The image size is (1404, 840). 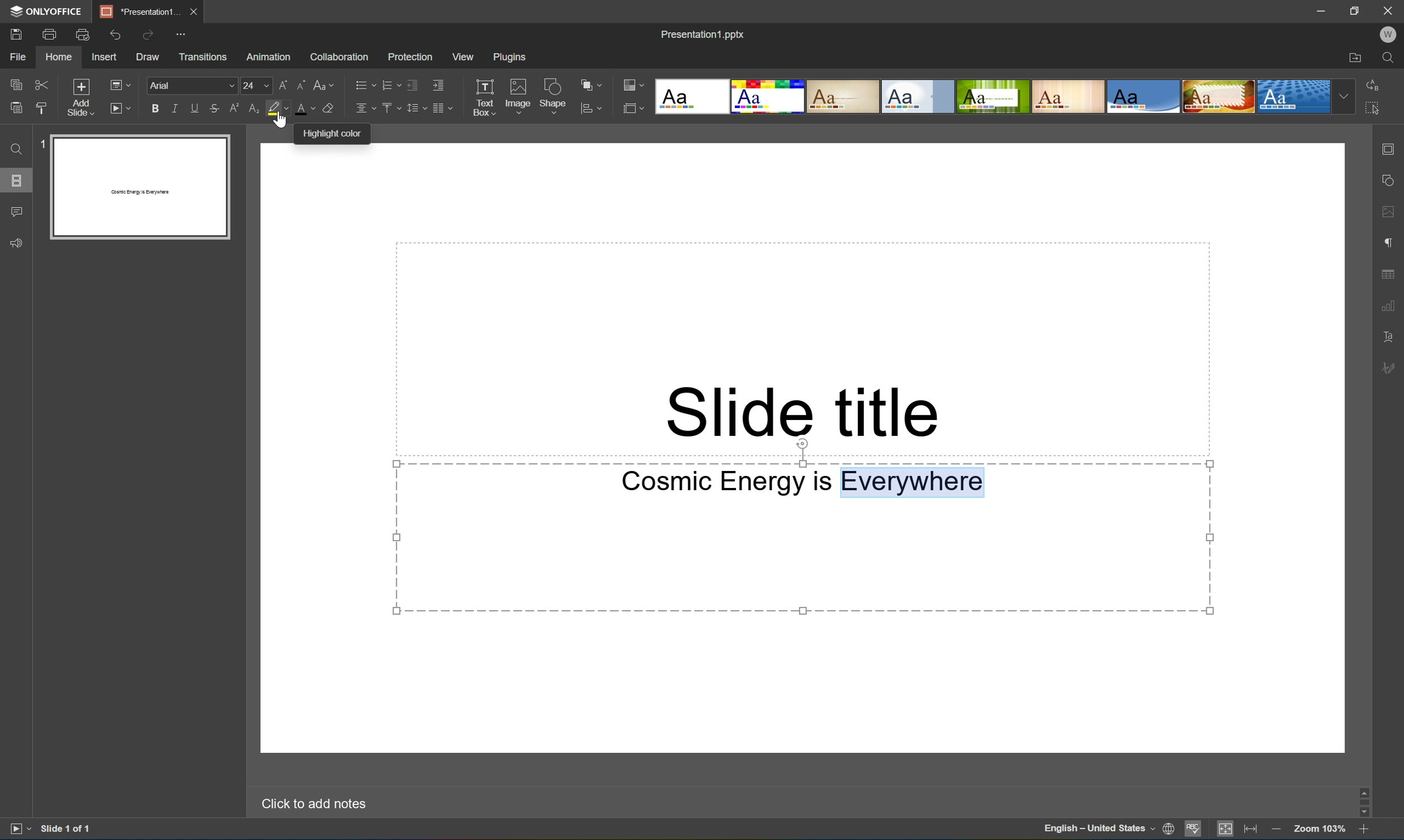 What do you see at coordinates (118, 84) in the screenshot?
I see `Change slide layout` at bounding box center [118, 84].